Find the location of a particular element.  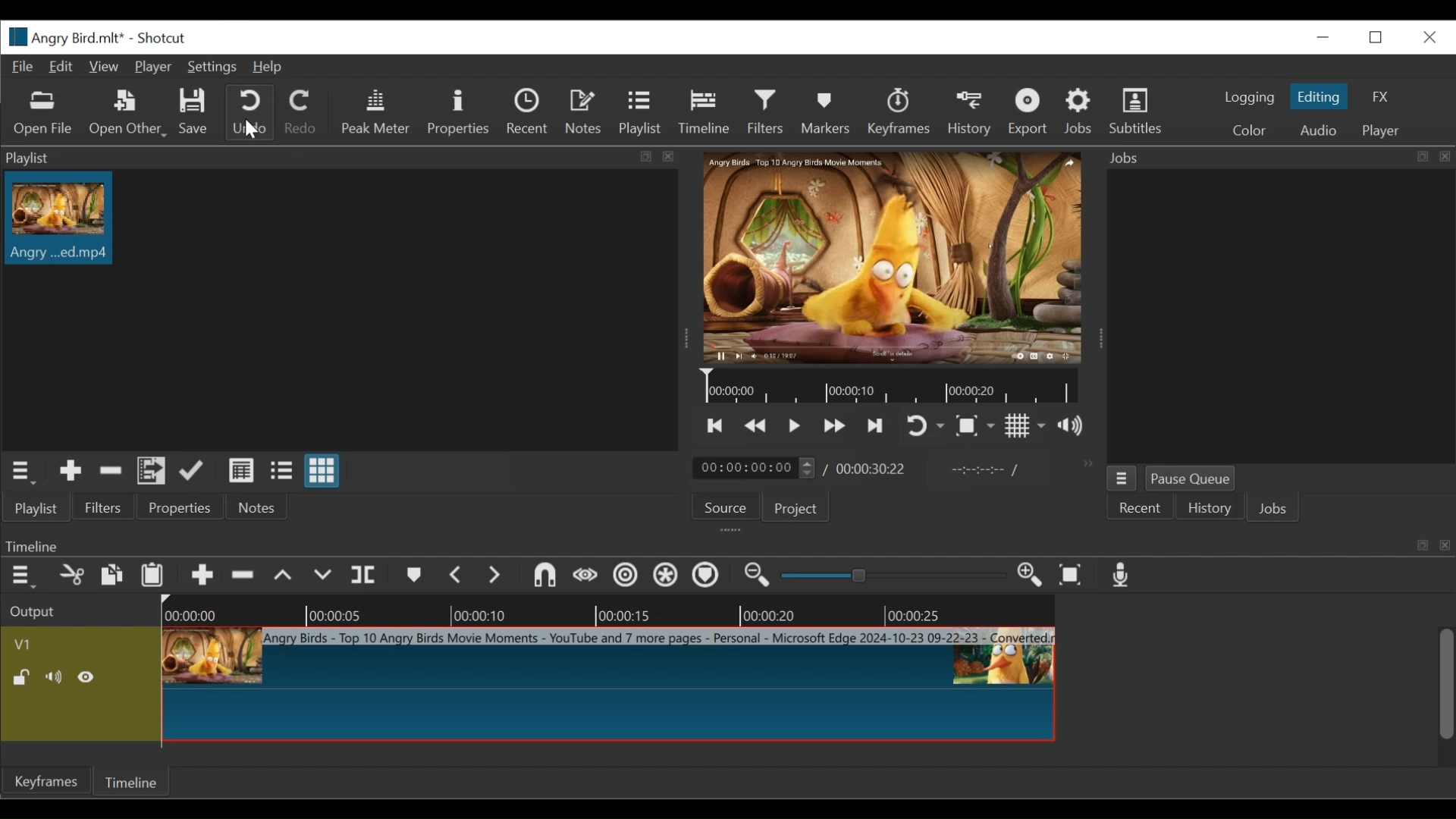

Help is located at coordinates (272, 67).